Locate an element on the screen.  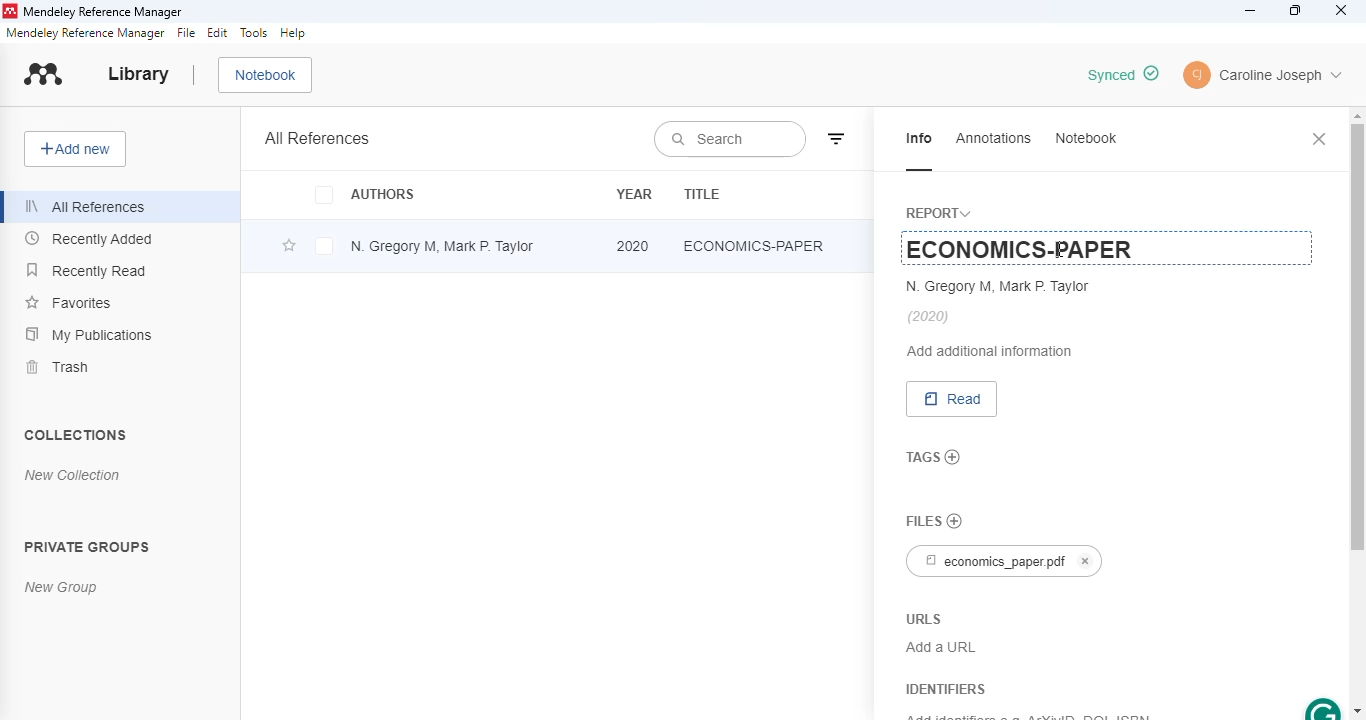
mendeley reference manager is located at coordinates (84, 33).